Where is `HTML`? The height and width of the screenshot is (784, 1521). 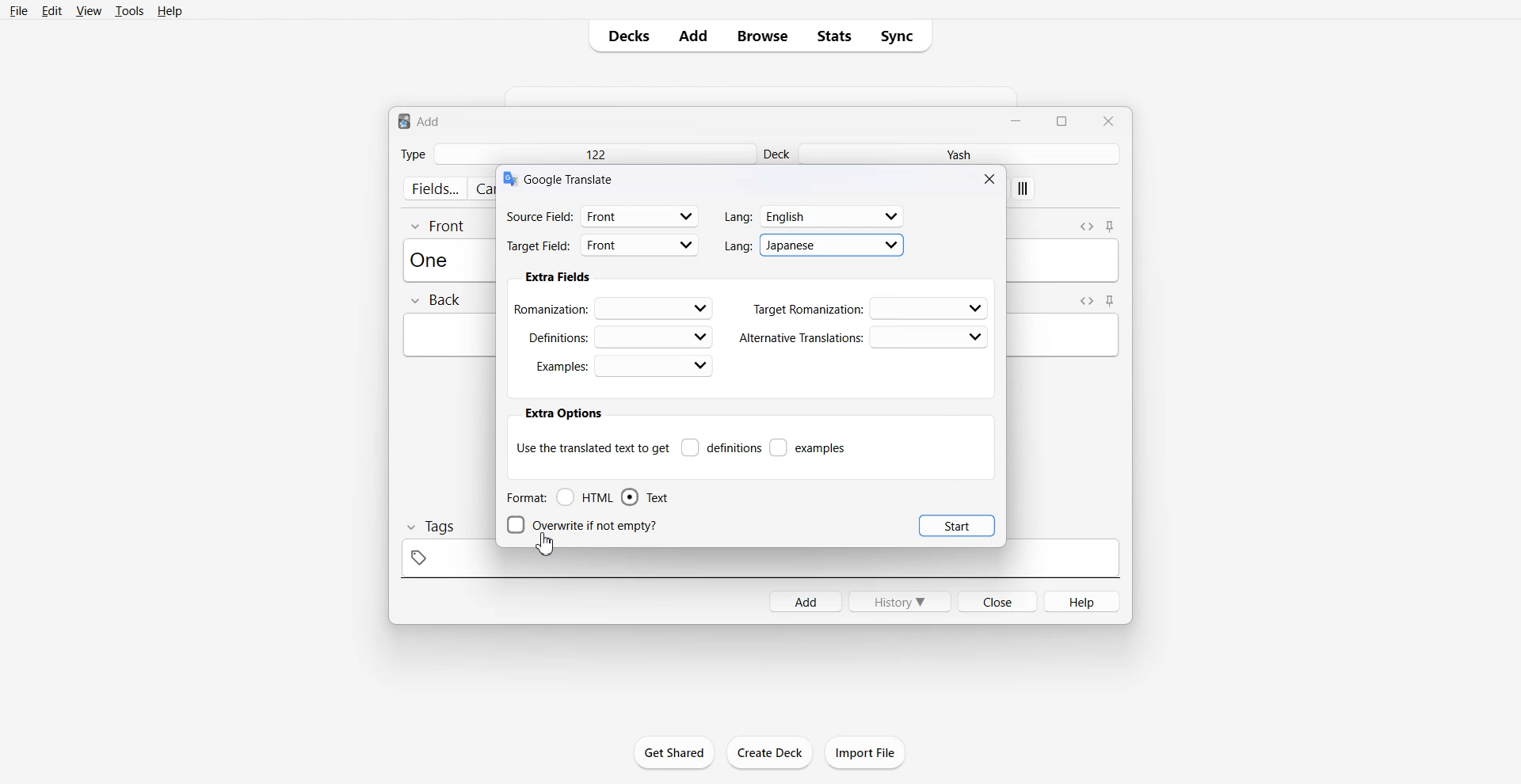 HTML is located at coordinates (585, 497).